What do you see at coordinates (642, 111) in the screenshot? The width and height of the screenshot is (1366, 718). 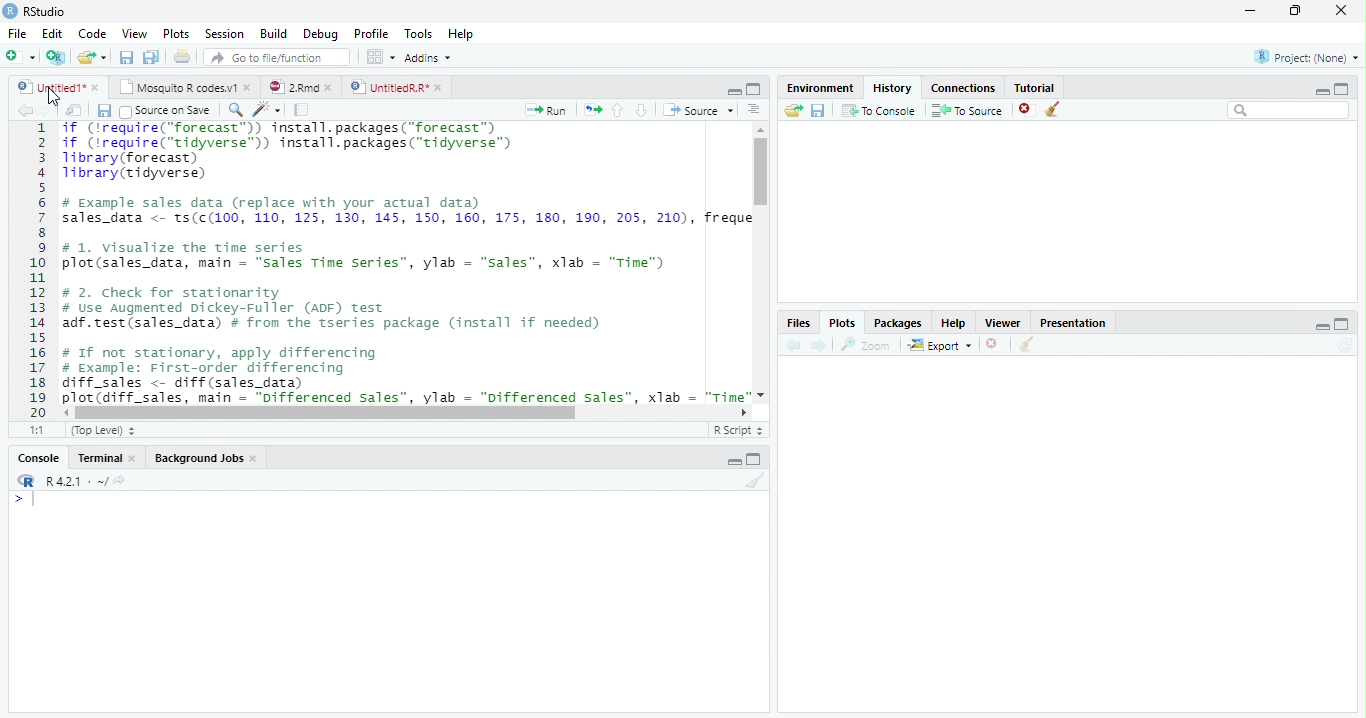 I see `Down` at bounding box center [642, 111].